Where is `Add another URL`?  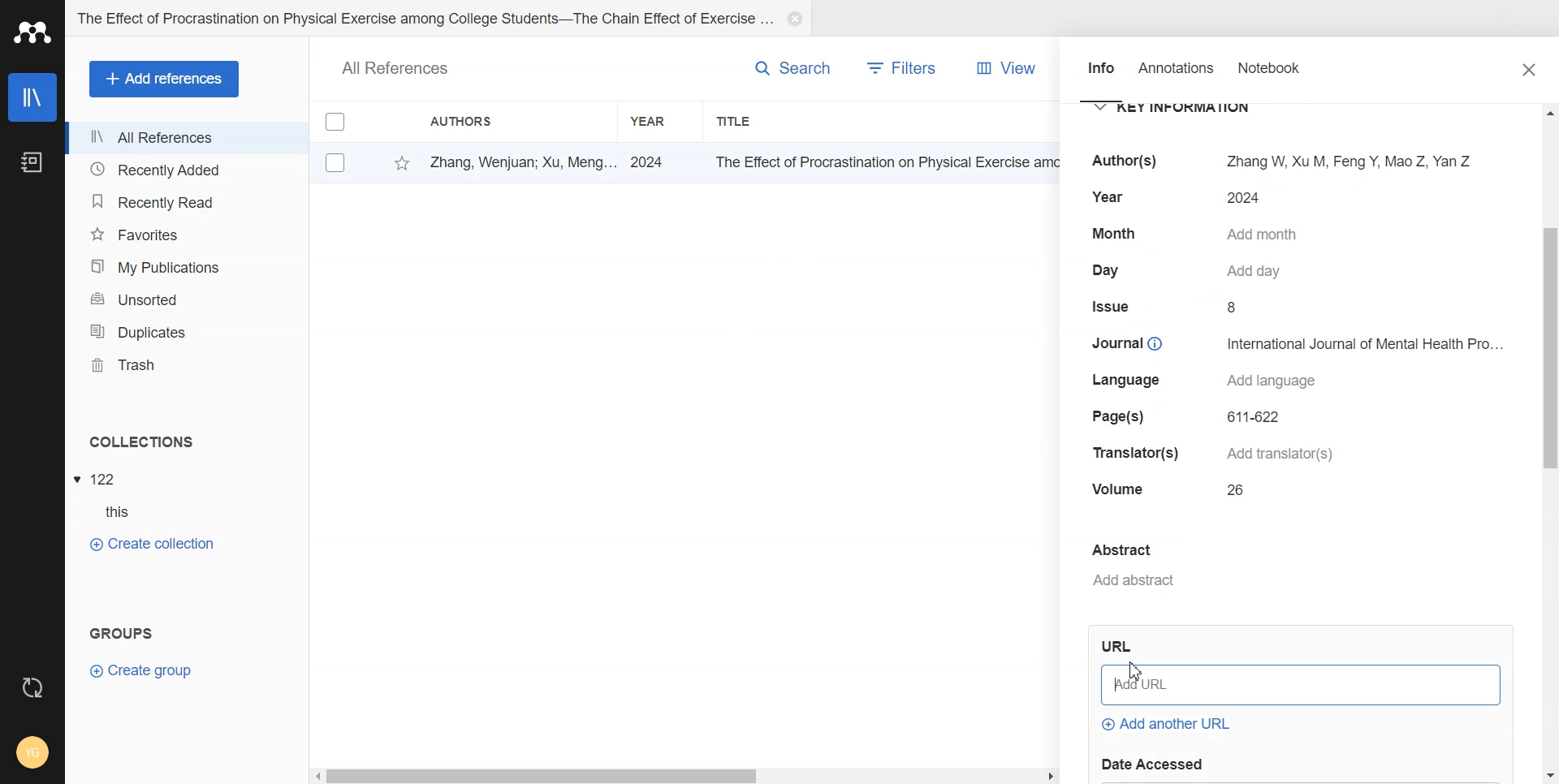 Add another URL is located at coordinates (1164, 725).